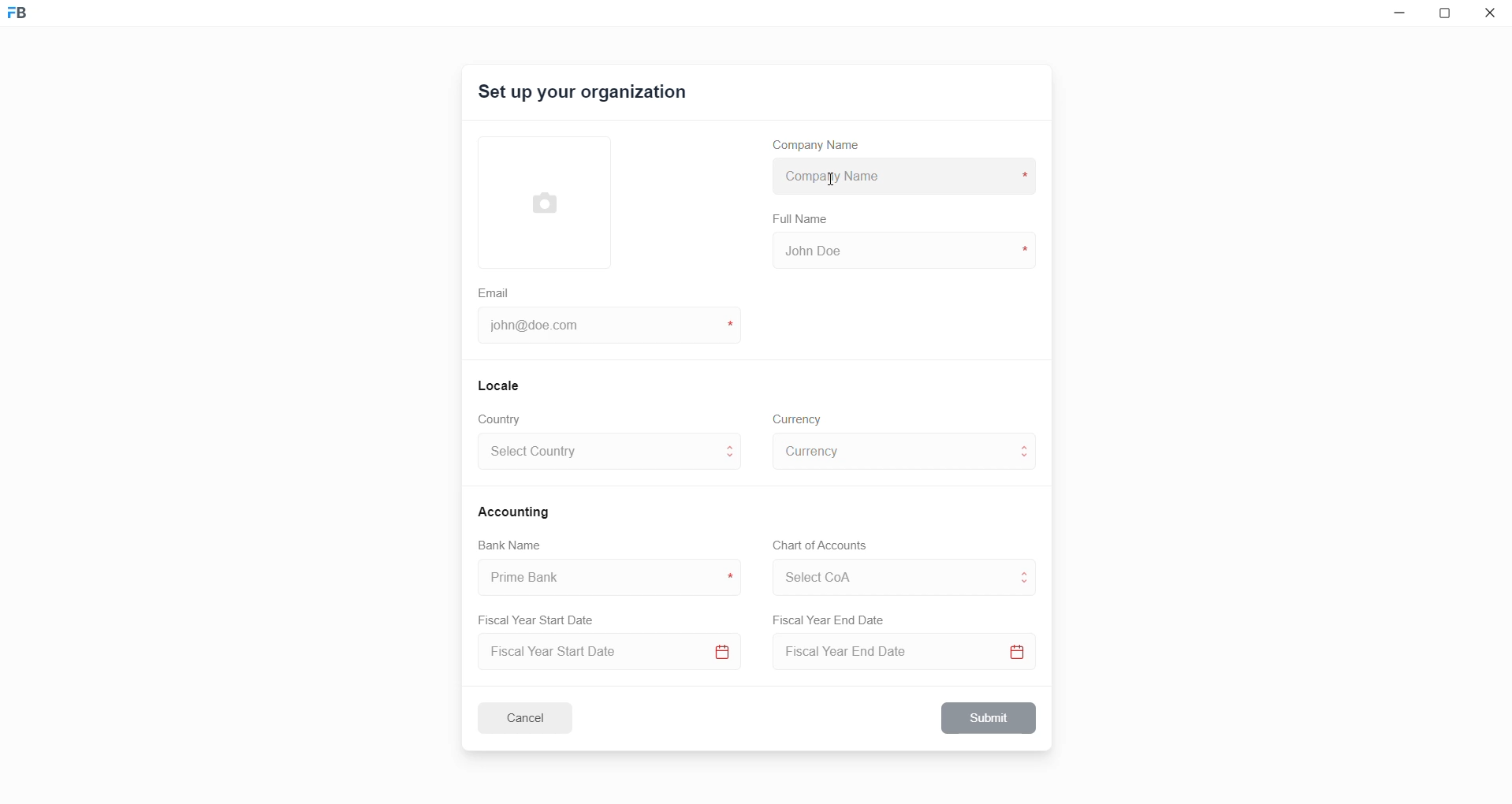  I want to click on select fiscal year start date, so click(605, 653).